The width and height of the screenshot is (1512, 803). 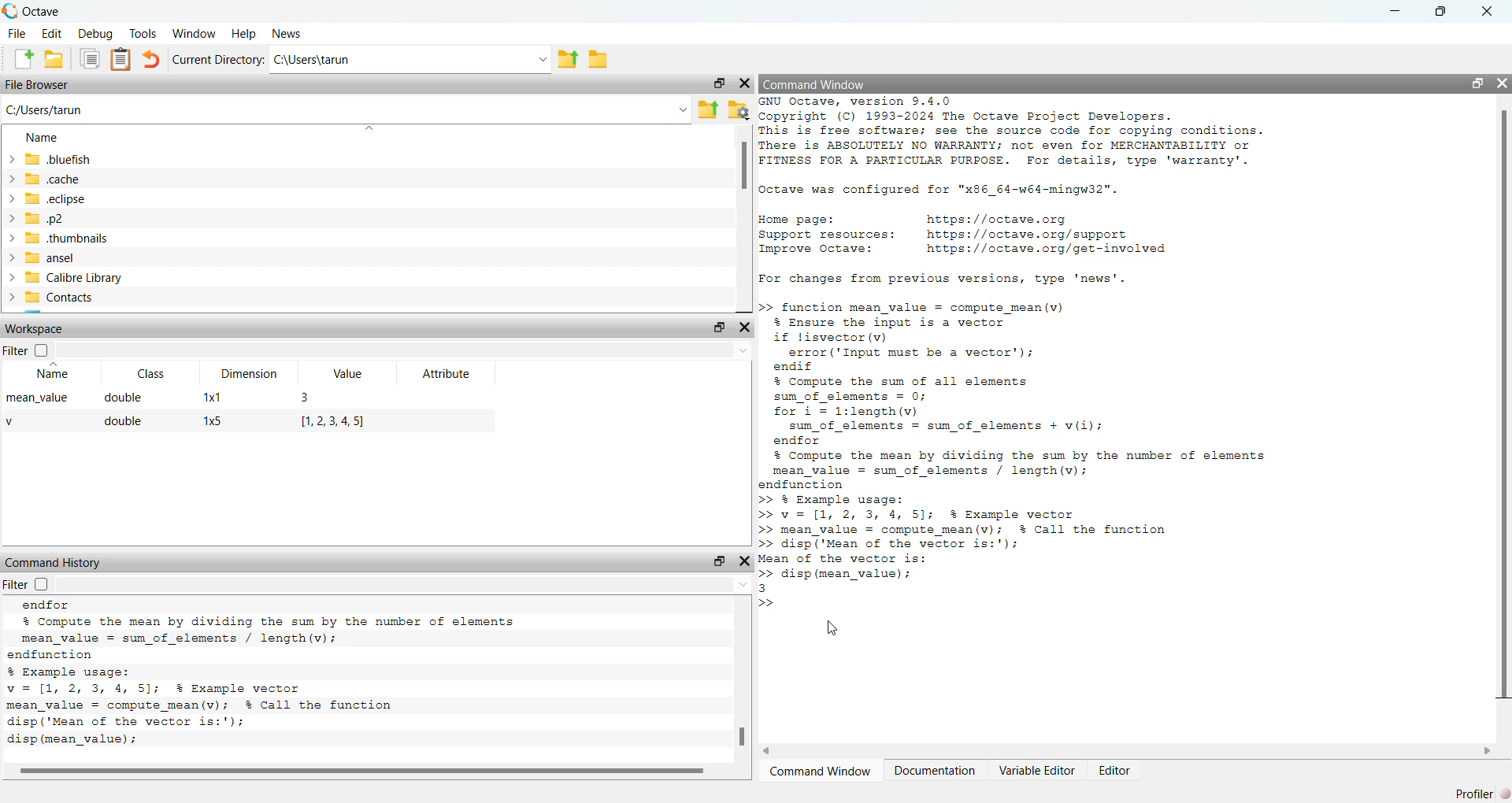 I want to click on double, so click(x=124, y=397).